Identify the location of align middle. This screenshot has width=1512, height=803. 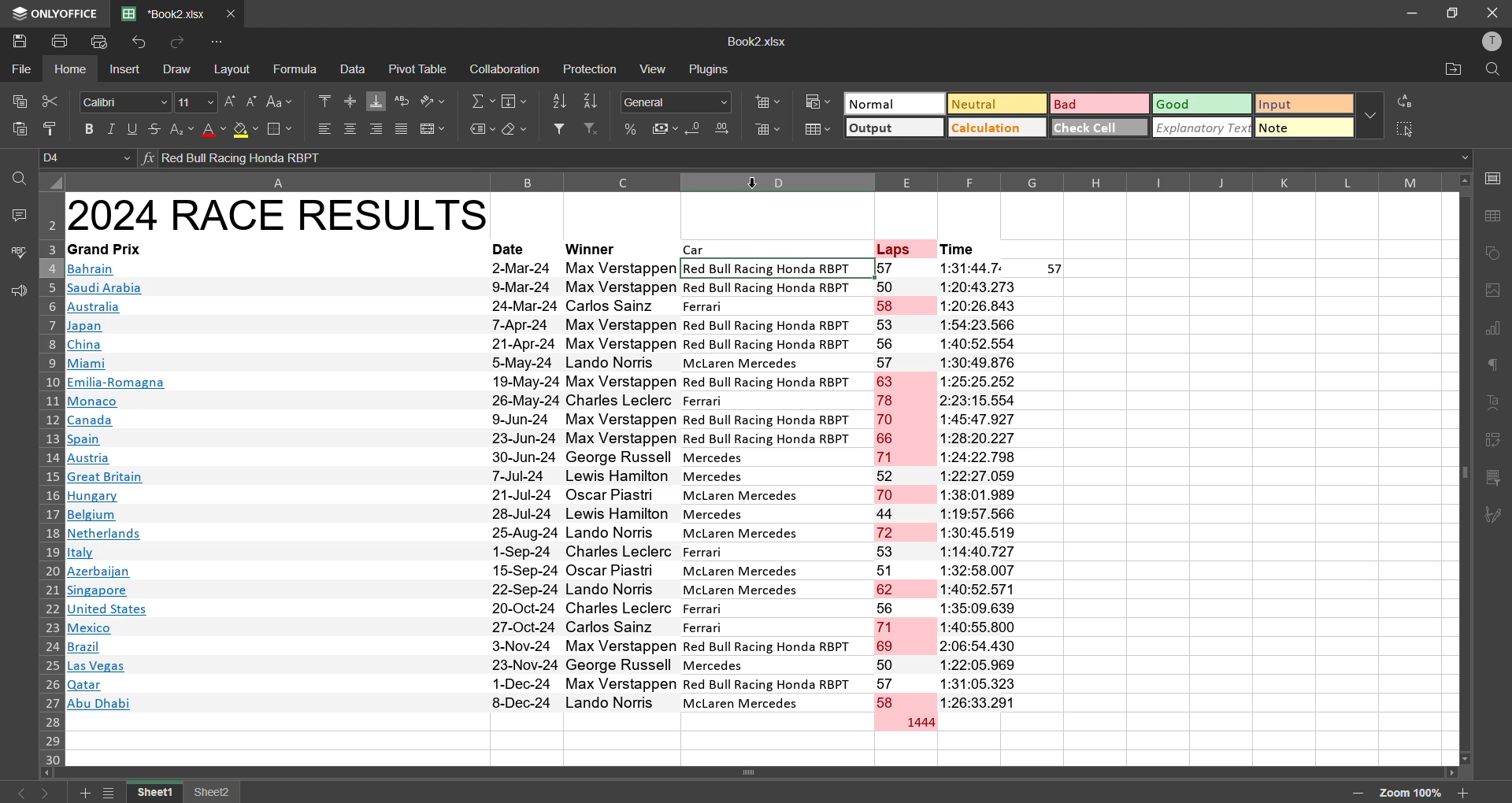
(350, 99).